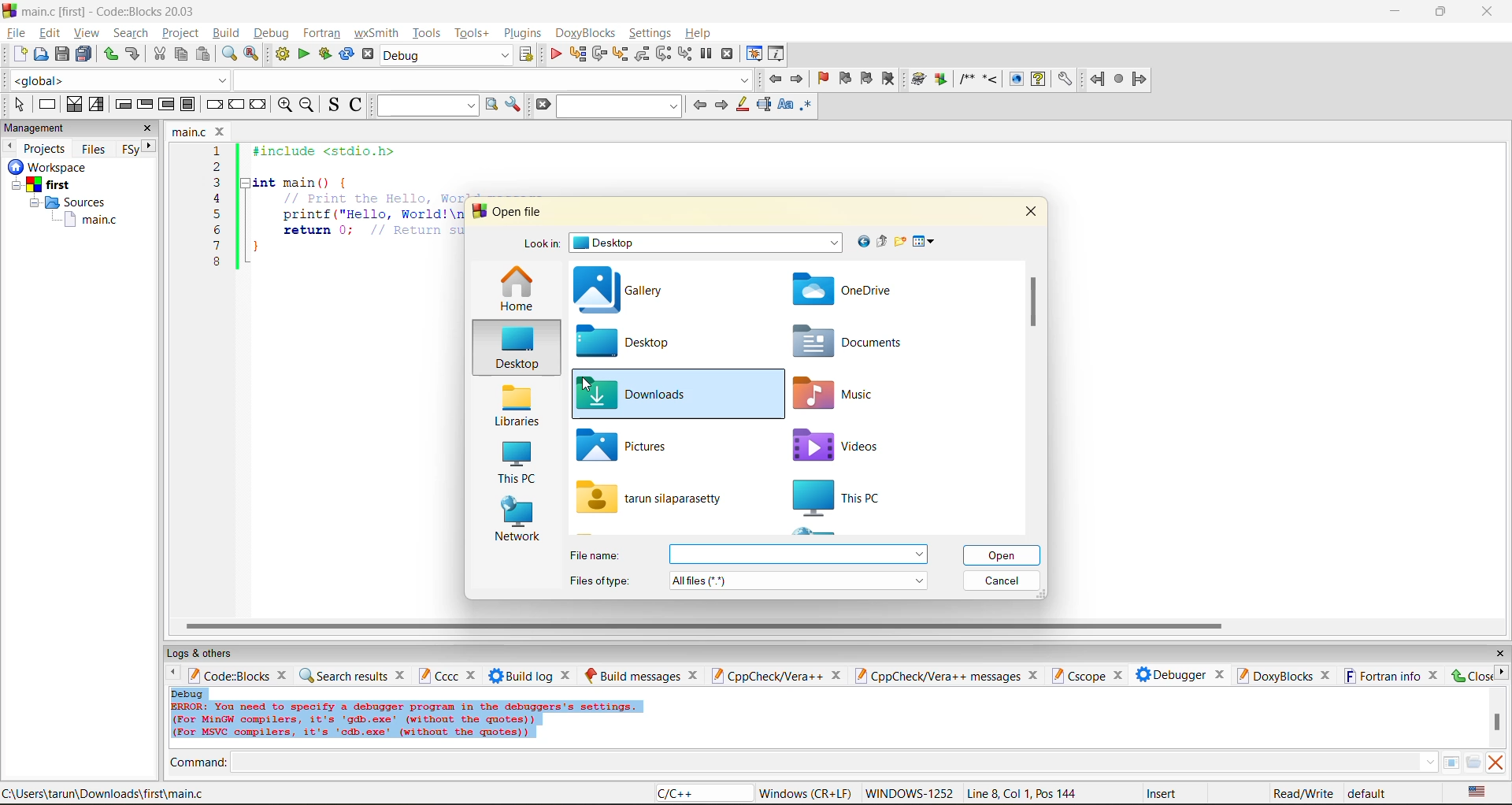  Describe the element at coordinates (621, 106) in the screenshot. I see `search` at that location.